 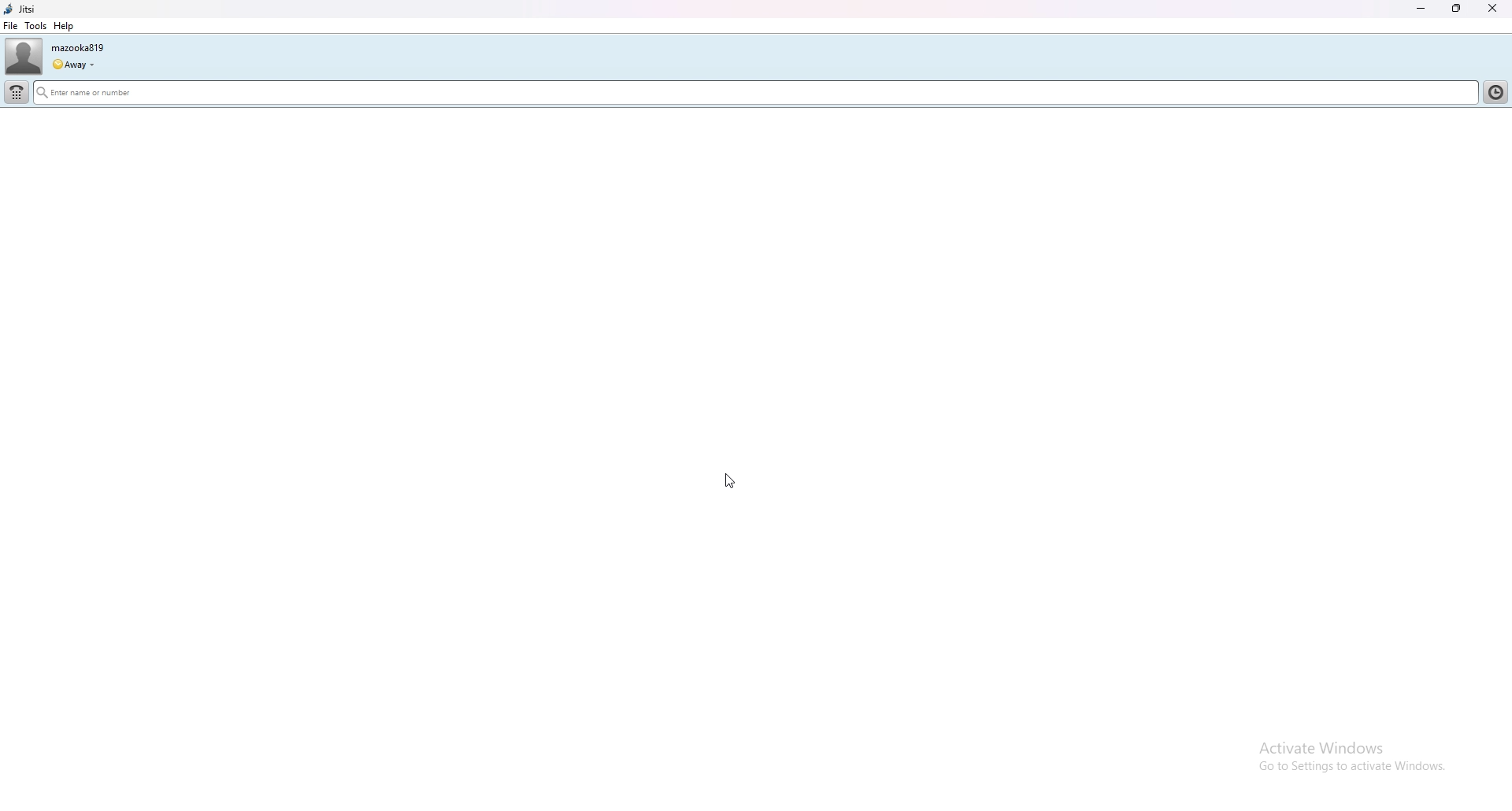 I want to click on dialpad, so click(x=16, y=91).